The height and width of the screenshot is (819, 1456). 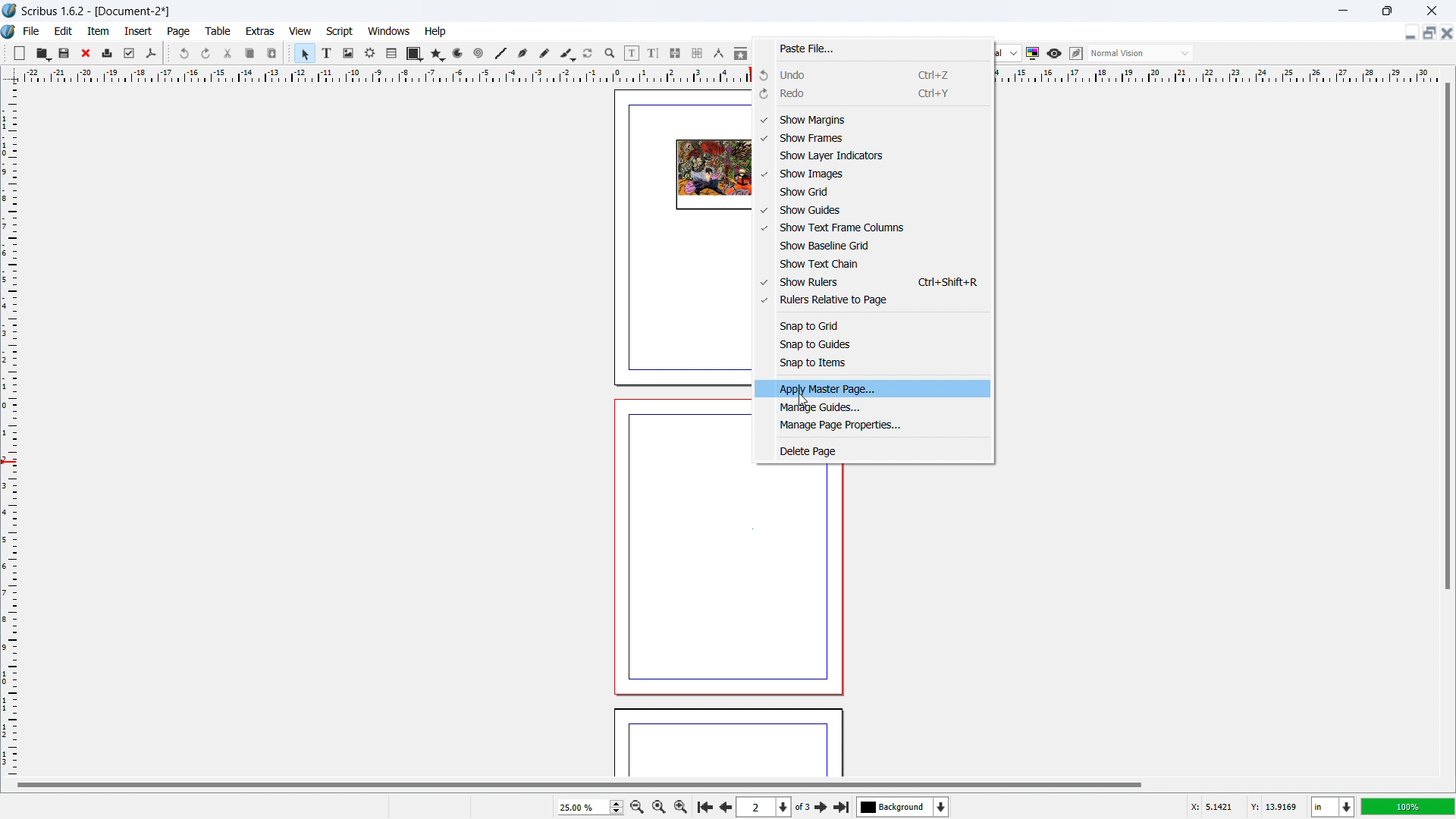 I want to click on save as pdf, so click(x=150, y=54).